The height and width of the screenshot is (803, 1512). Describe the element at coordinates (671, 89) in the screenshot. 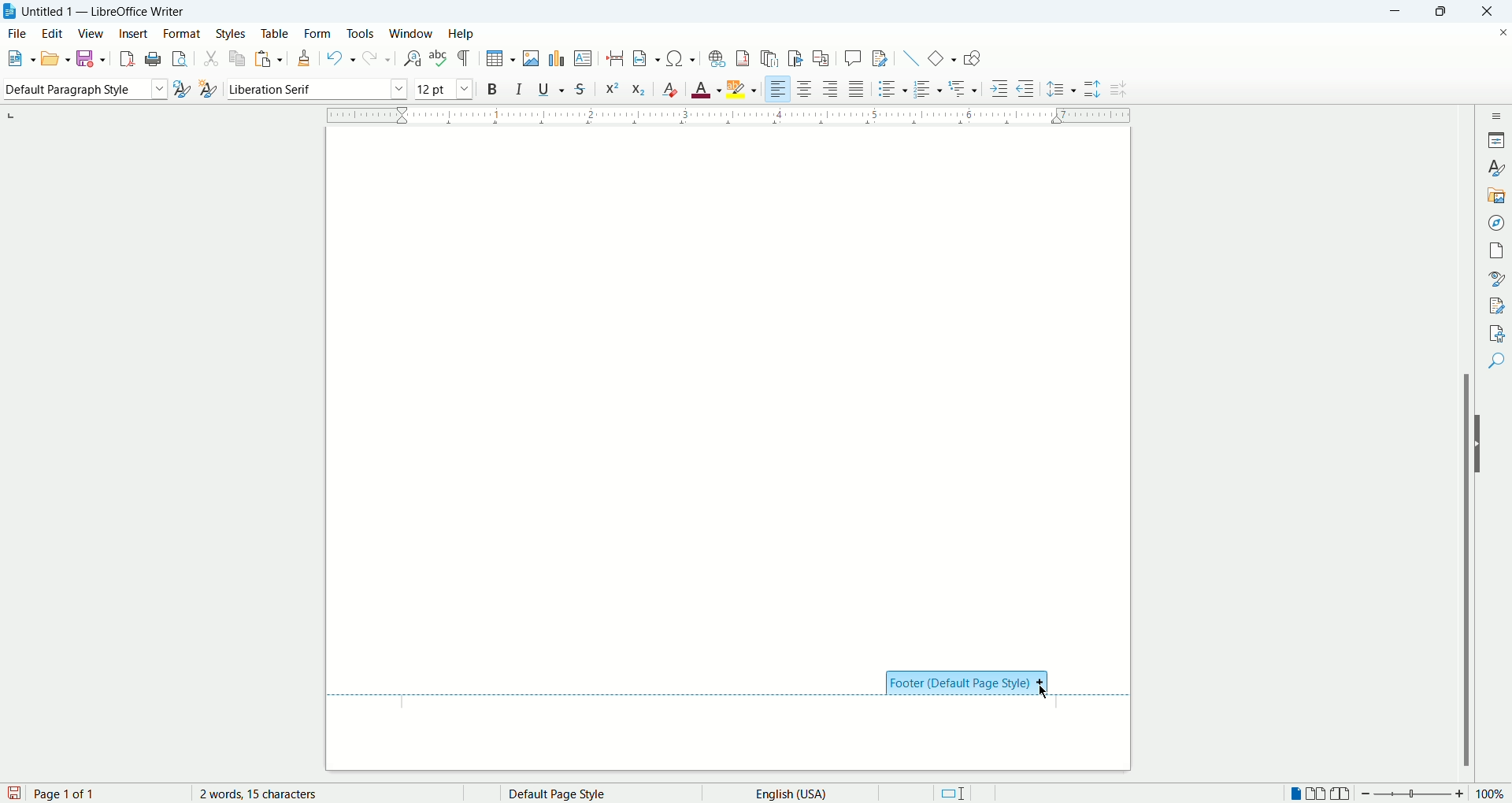

I see `clear formatting` at that location.